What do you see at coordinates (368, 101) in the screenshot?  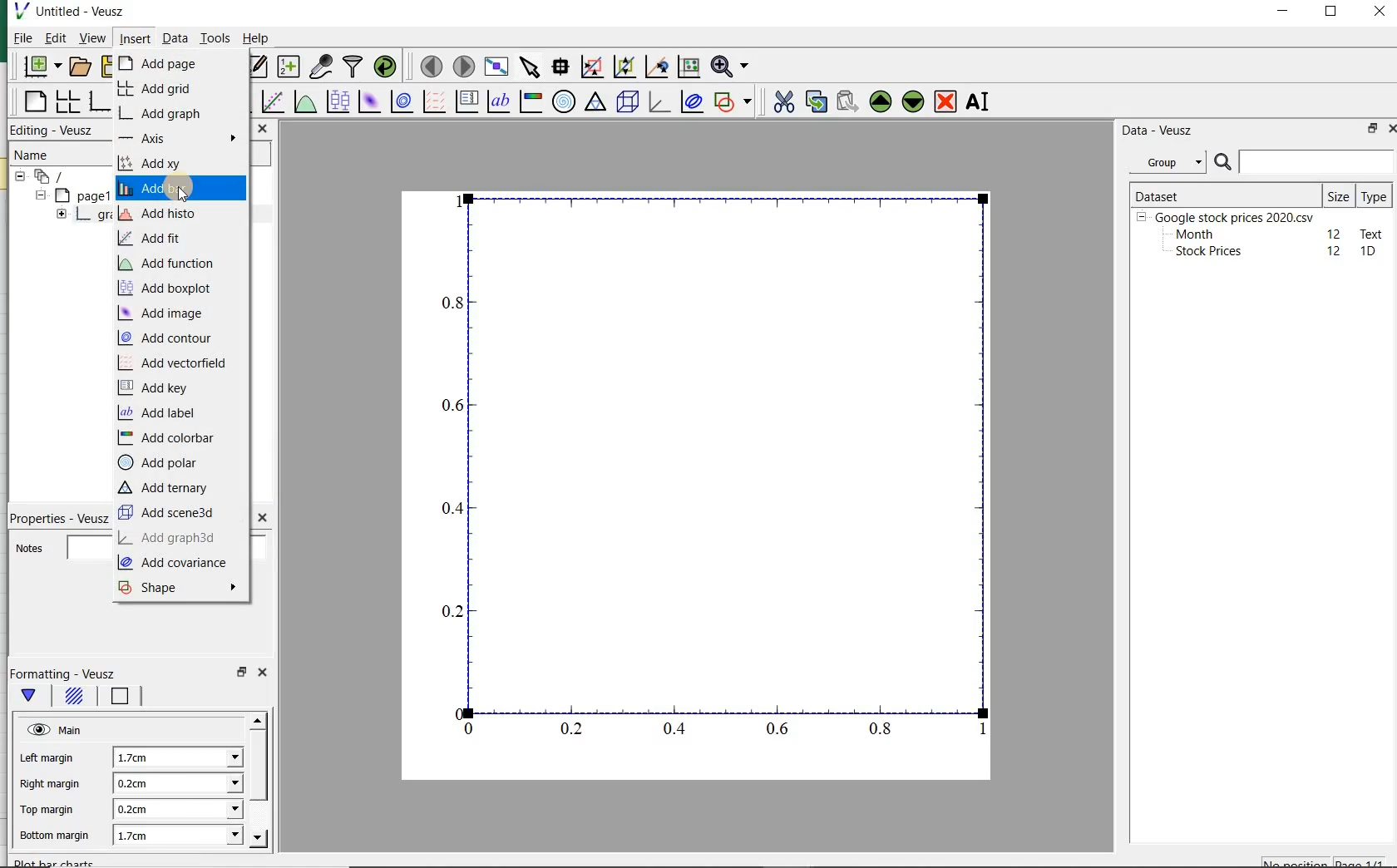 I see `plot a 2d dataset as an image` at bounding box center [368, 101].